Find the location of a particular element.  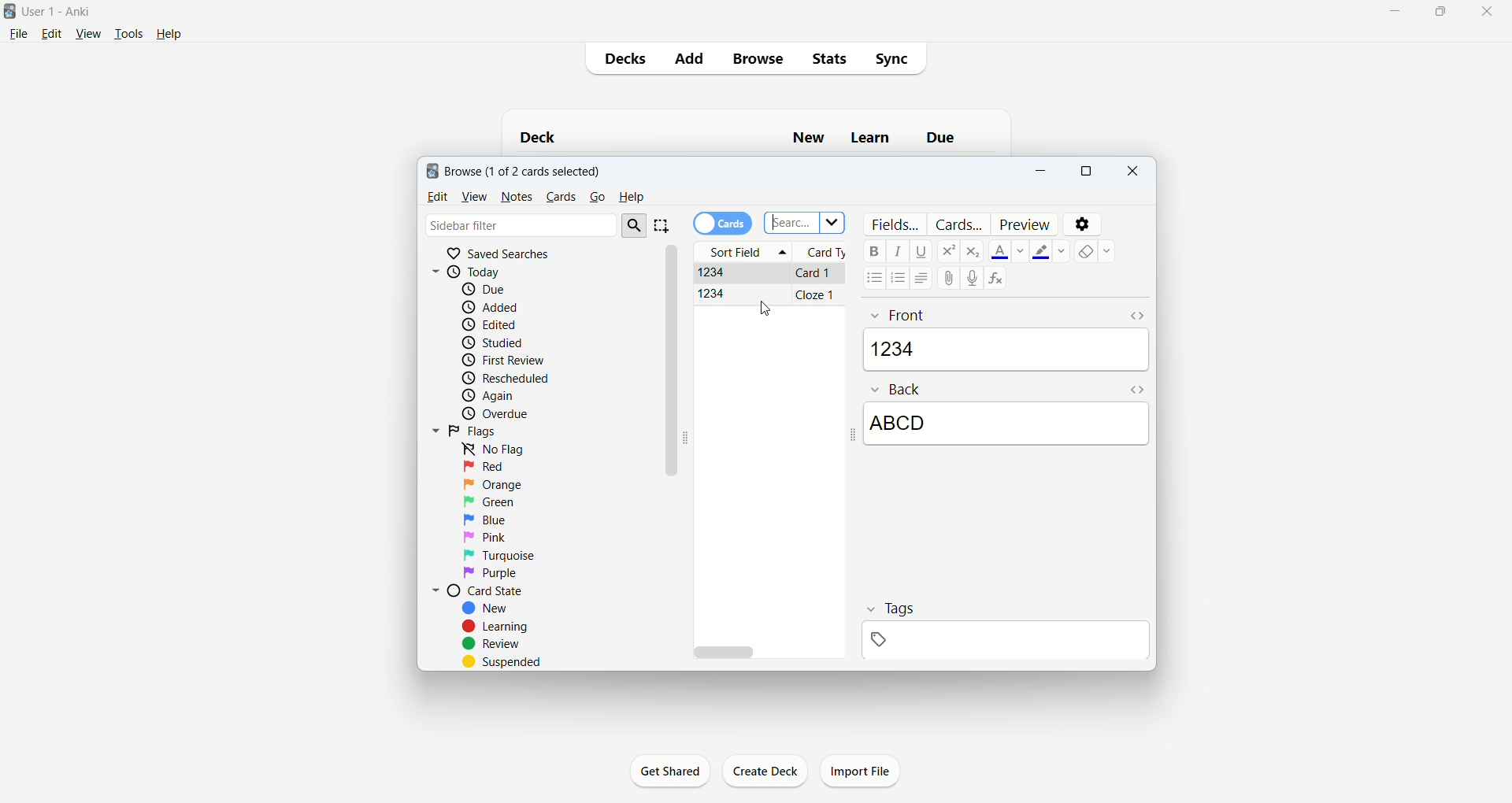

deck is located at coordinates (542, 139).